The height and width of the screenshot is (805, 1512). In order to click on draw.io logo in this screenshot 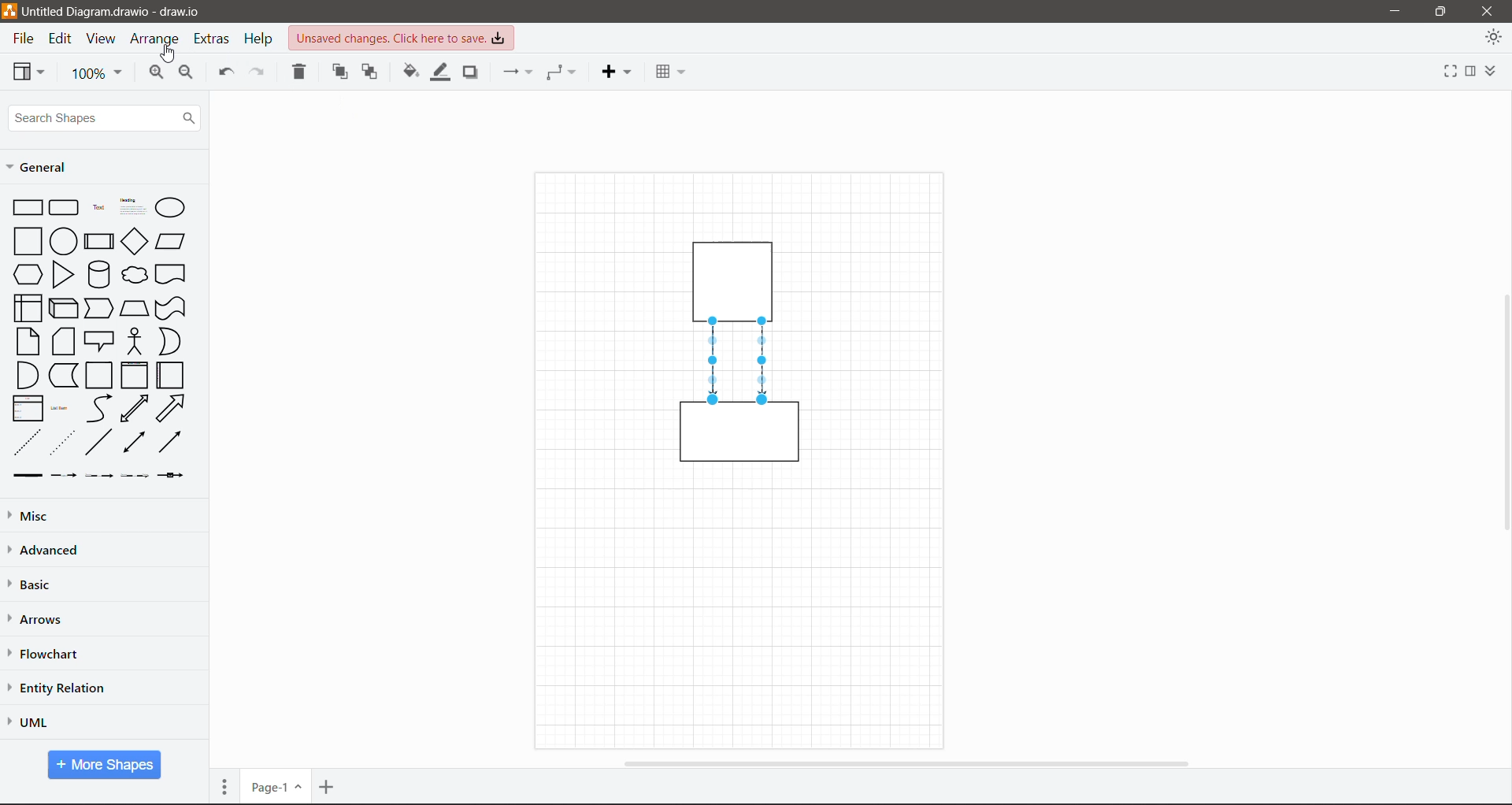, I will do `click(9, 10)`.